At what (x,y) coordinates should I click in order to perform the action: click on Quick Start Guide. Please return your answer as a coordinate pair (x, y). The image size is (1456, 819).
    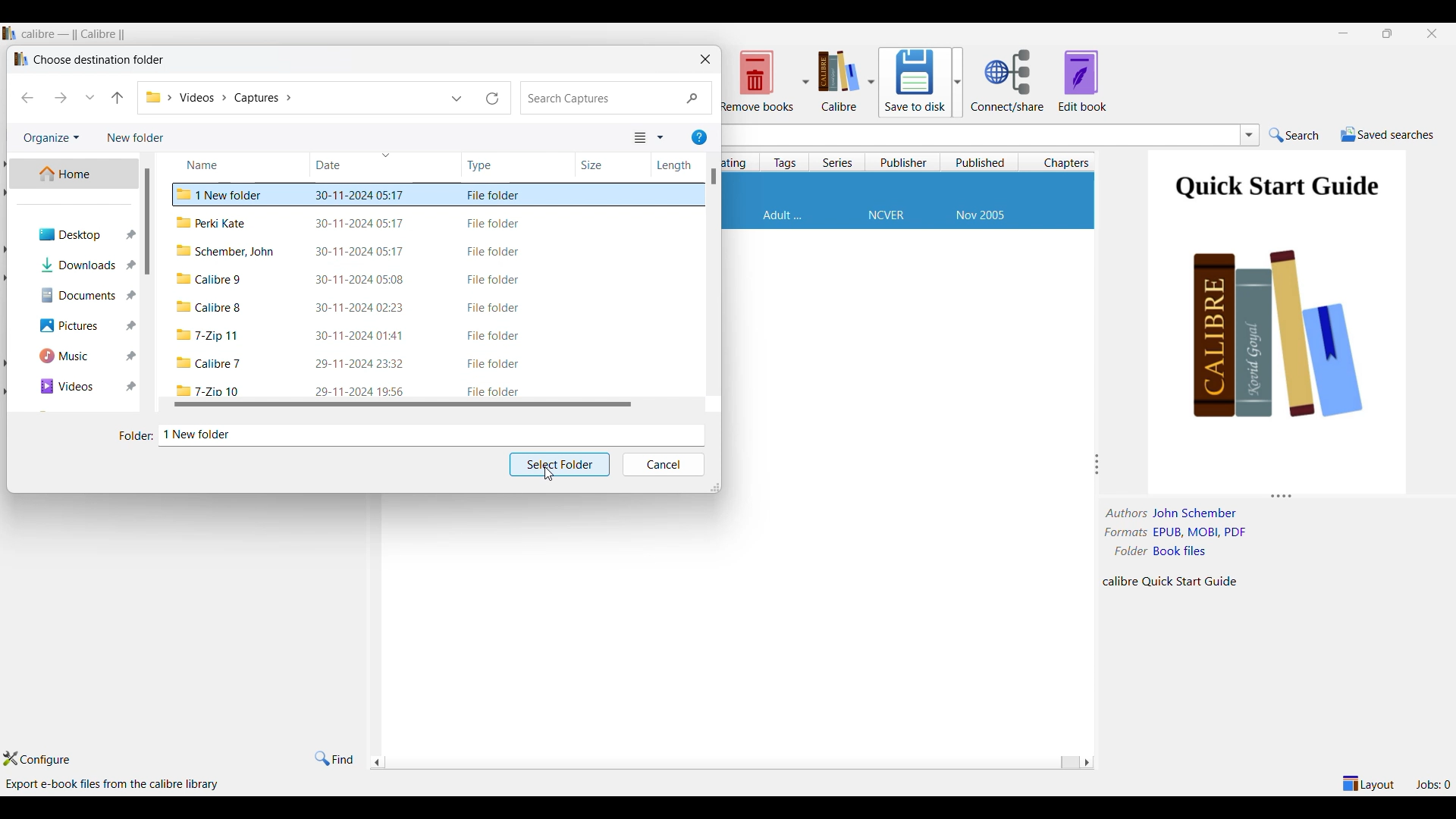
    Looking at the image, I should click on (1276, 190).